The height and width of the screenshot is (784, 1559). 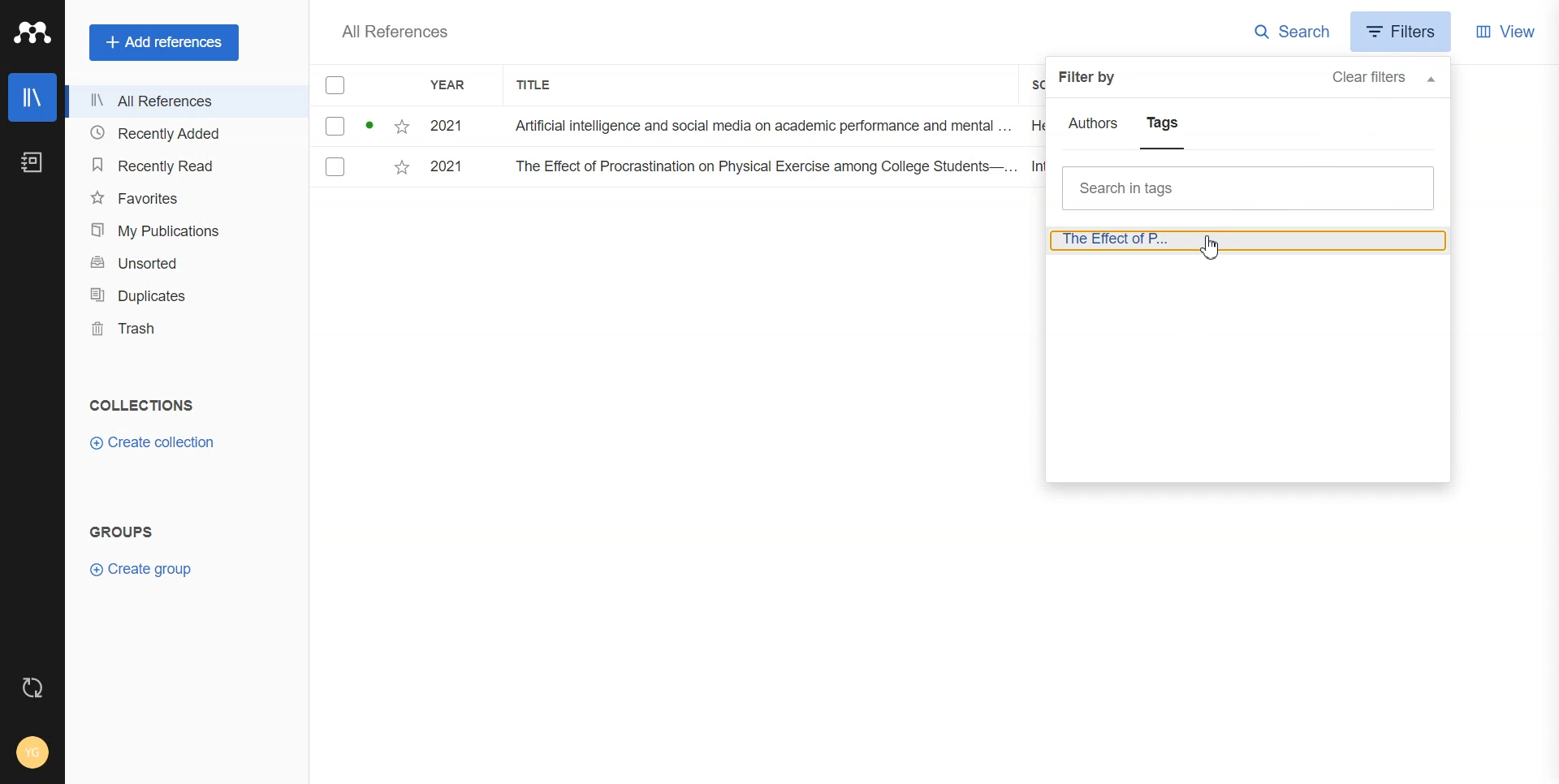 What do you see at coordinates (677, 166) in the screenshot?
I see `File` at bounding box center [677, 166].